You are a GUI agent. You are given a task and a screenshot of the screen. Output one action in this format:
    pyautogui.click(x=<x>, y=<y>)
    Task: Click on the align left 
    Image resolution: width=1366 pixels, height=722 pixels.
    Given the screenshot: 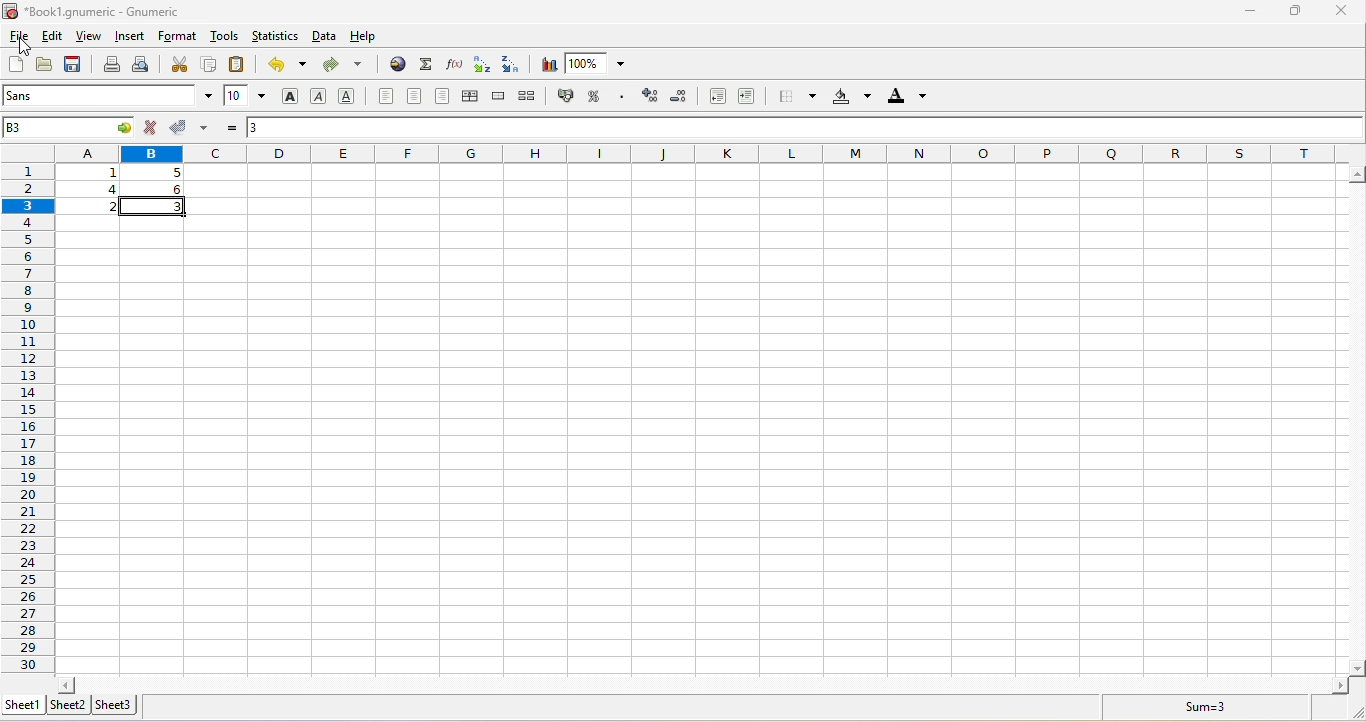 What is the action you would take?
    pyautogui.click(x=384, y=97)
    